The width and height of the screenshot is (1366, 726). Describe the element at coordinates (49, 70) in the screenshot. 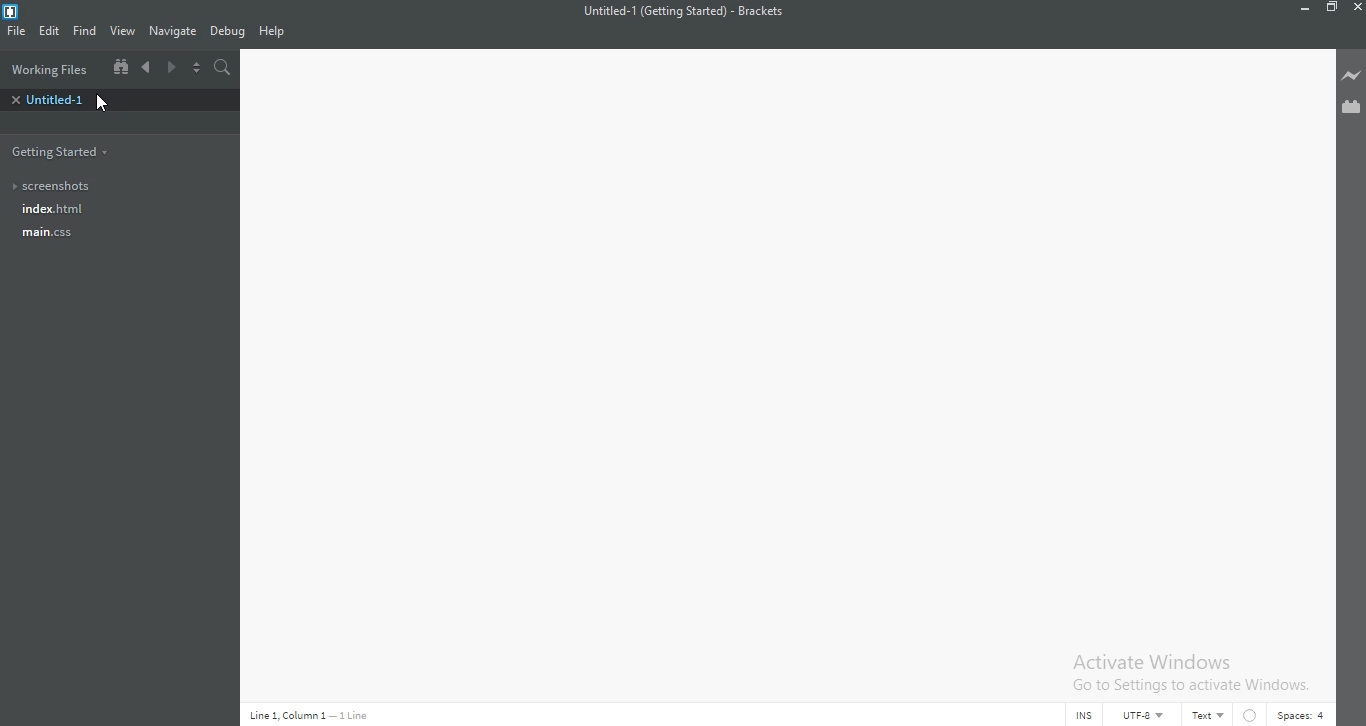

I see `Working files` at that location.